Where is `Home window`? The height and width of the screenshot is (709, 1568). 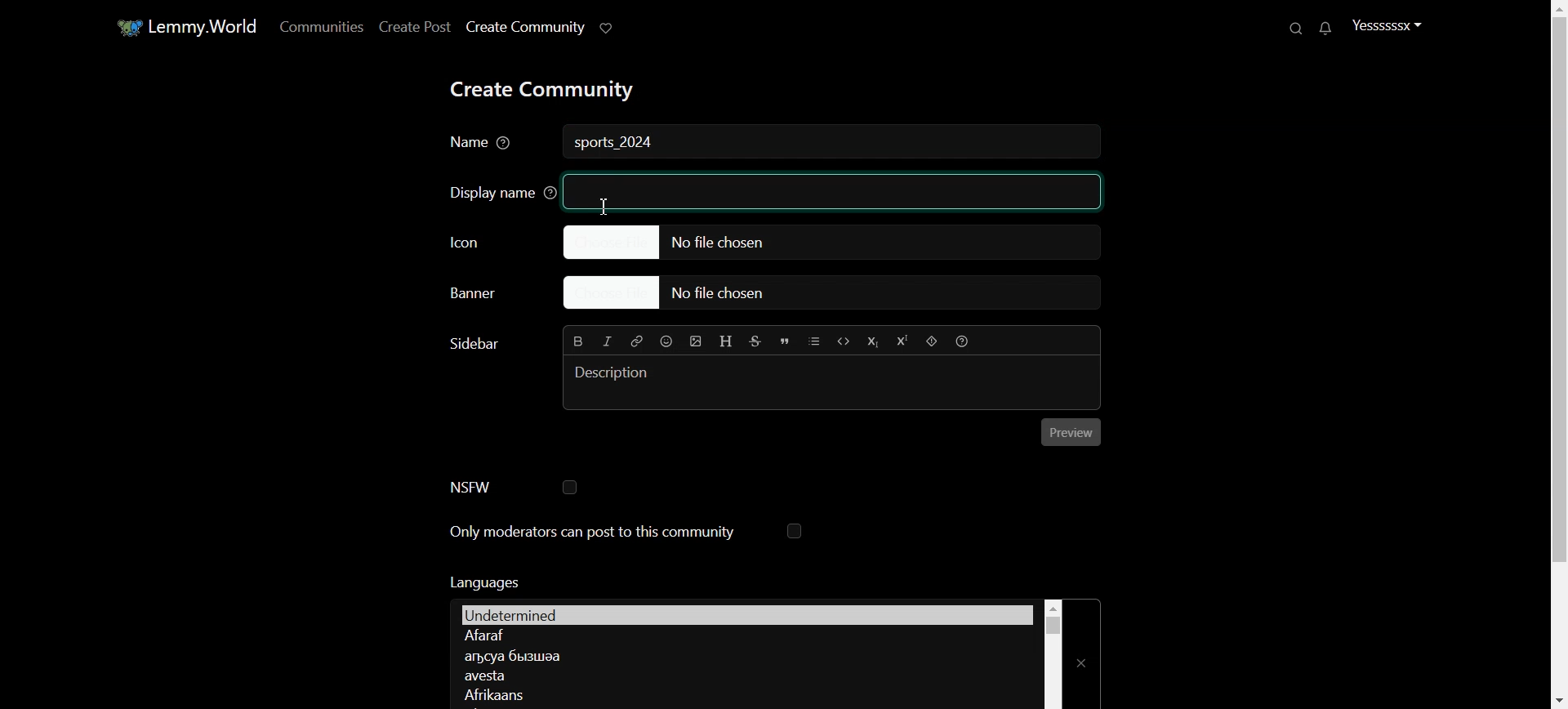 Home window is located at coordinates (185, 25).